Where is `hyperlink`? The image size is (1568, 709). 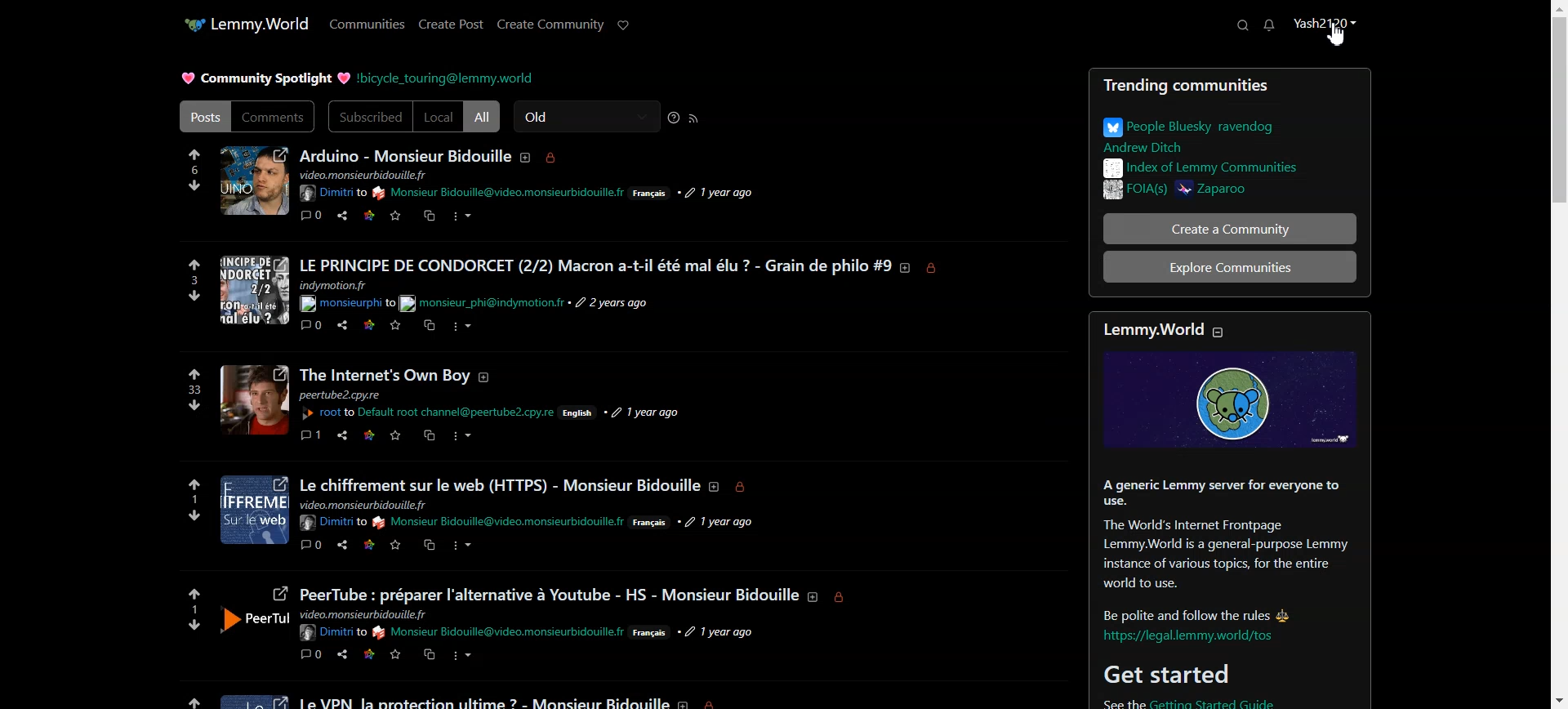
hyperlink is located at coordinates (1192, 637).